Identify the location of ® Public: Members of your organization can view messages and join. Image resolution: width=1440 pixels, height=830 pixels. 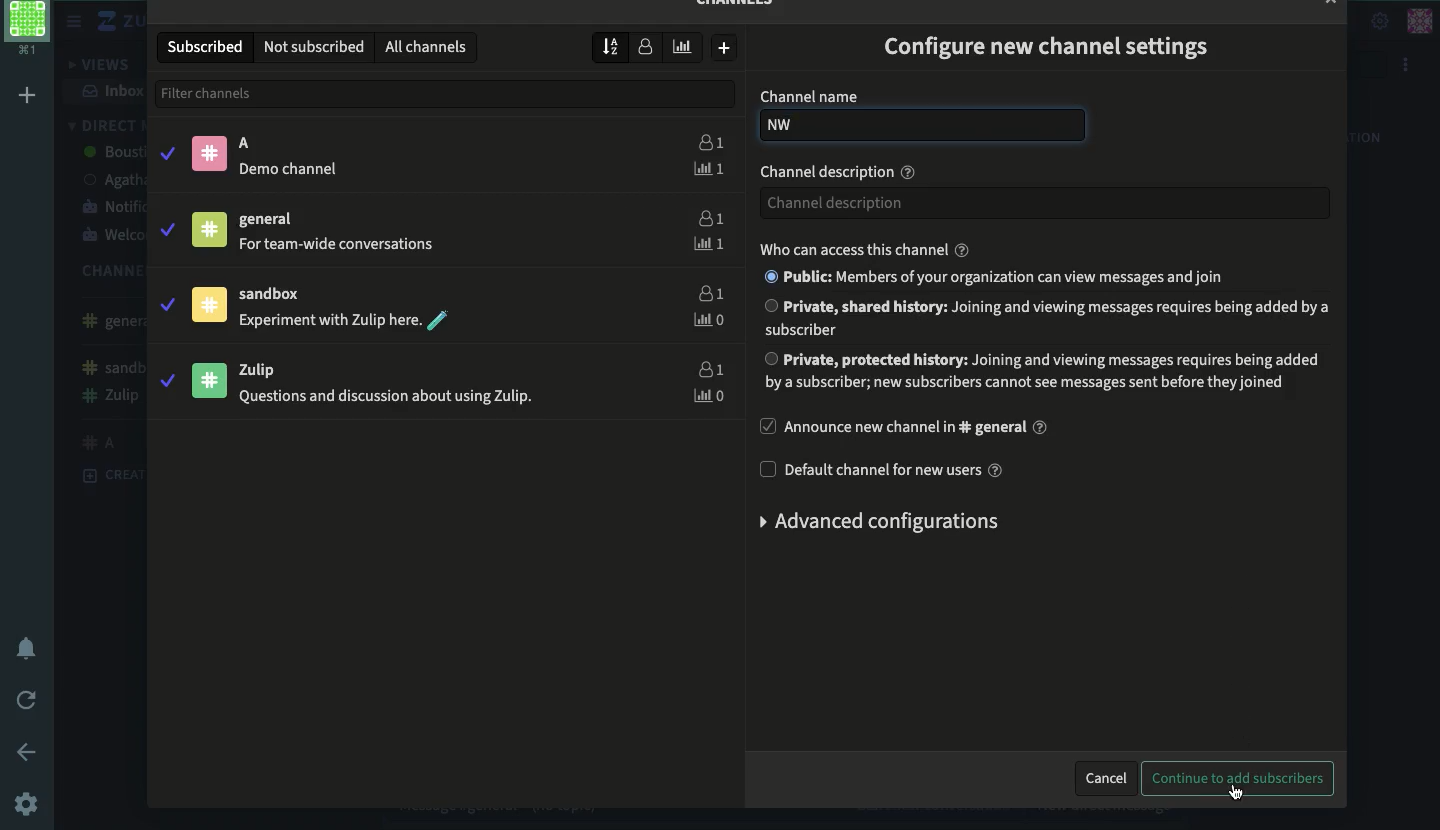
(1034, 276).